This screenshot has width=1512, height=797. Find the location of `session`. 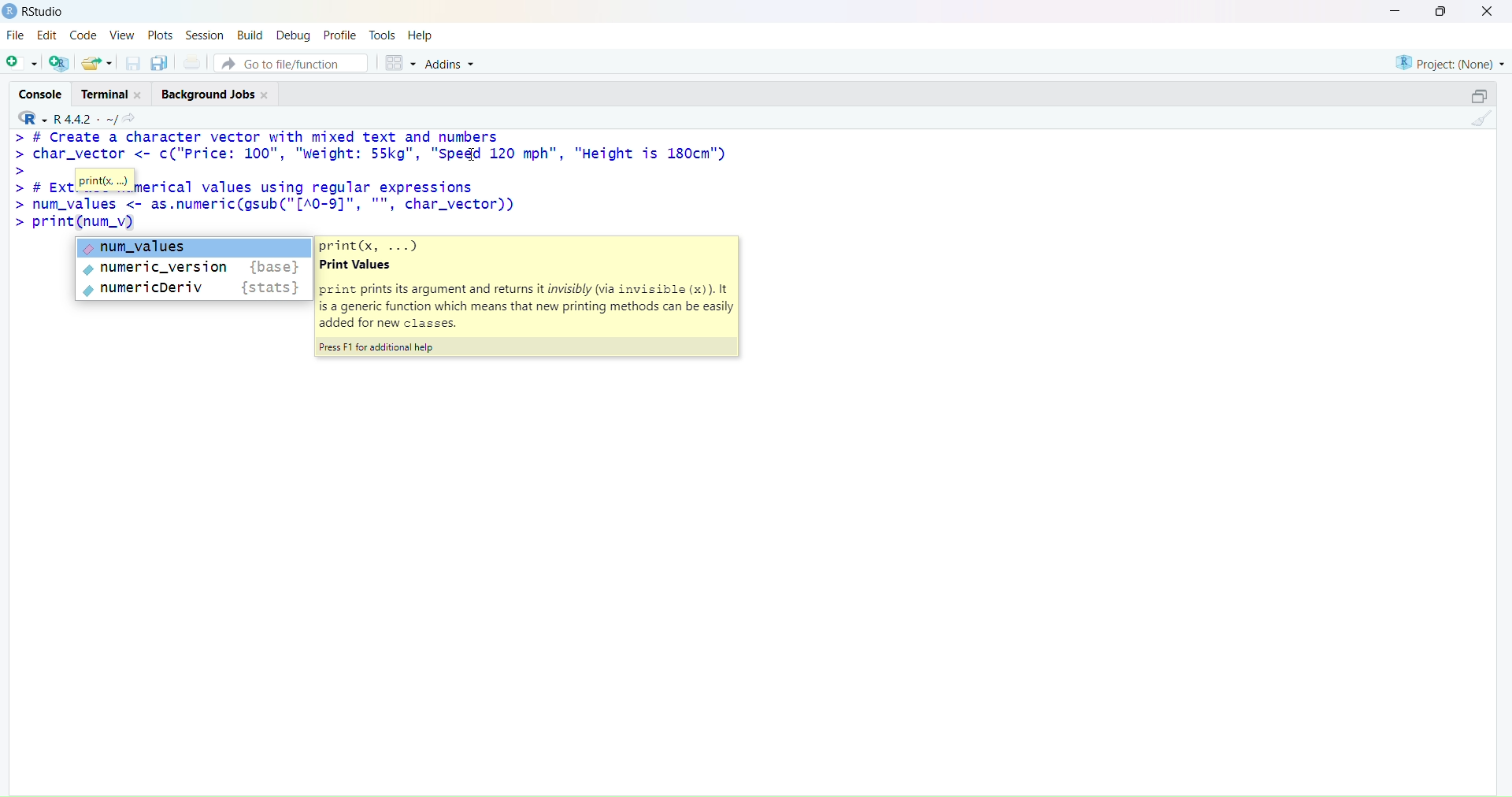

session is located at coordinates (206, 36).